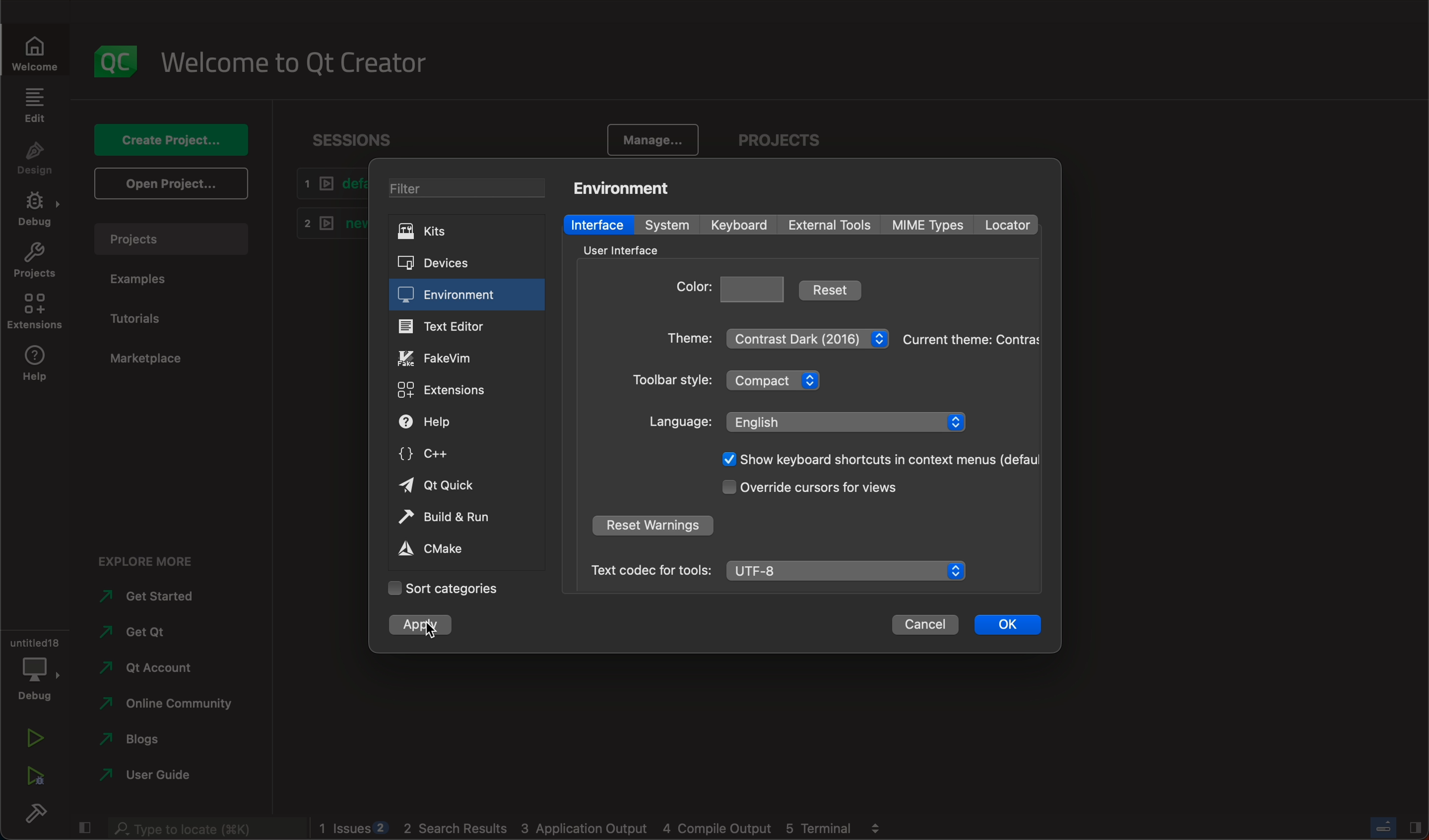 Image resolution: width=1429 pixels, height=840 pixels. I want to click on sessins, so click(358, 140).